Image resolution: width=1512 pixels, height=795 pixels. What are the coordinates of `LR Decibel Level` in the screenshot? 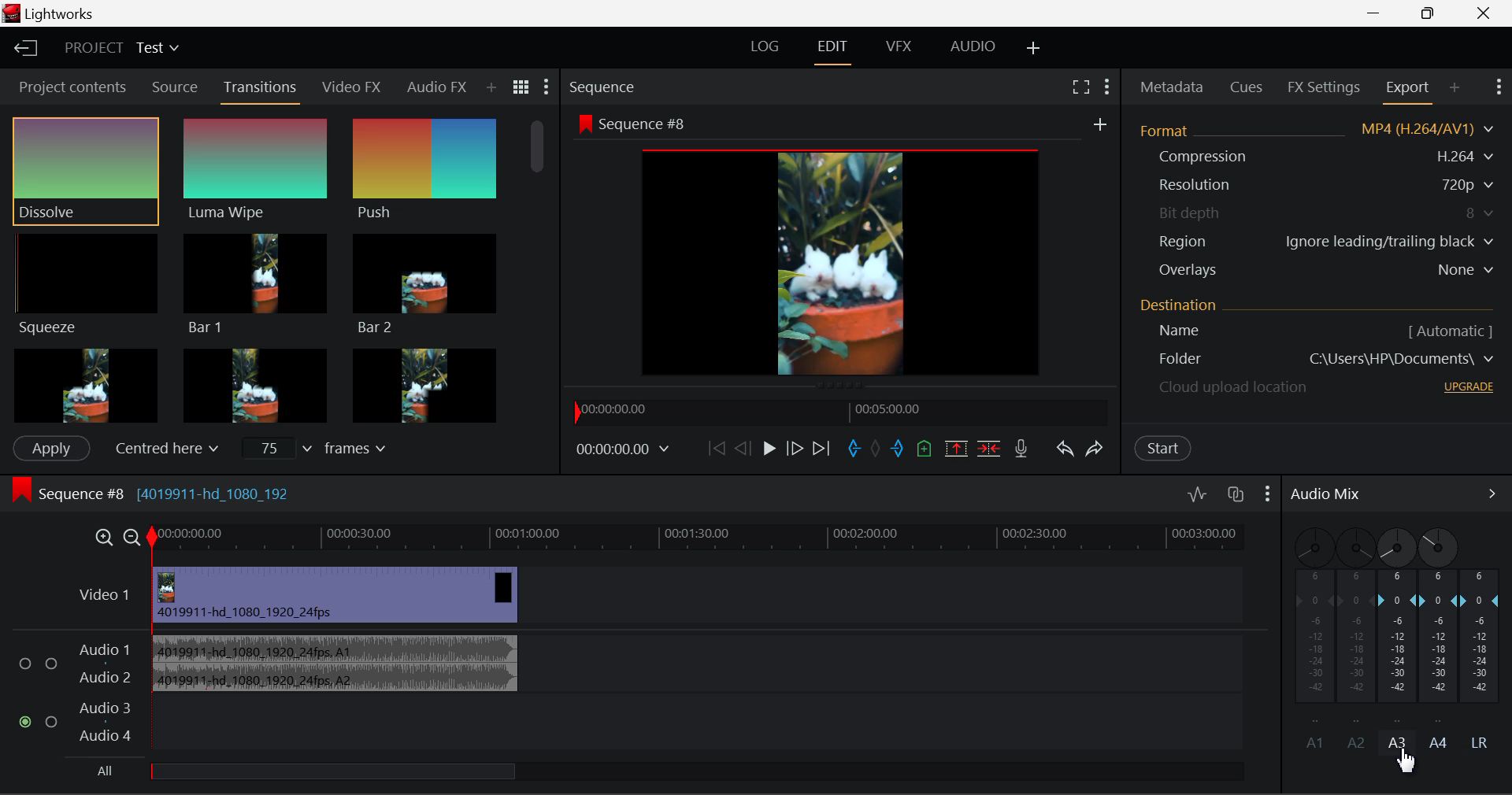 It's located at (1488, 661).